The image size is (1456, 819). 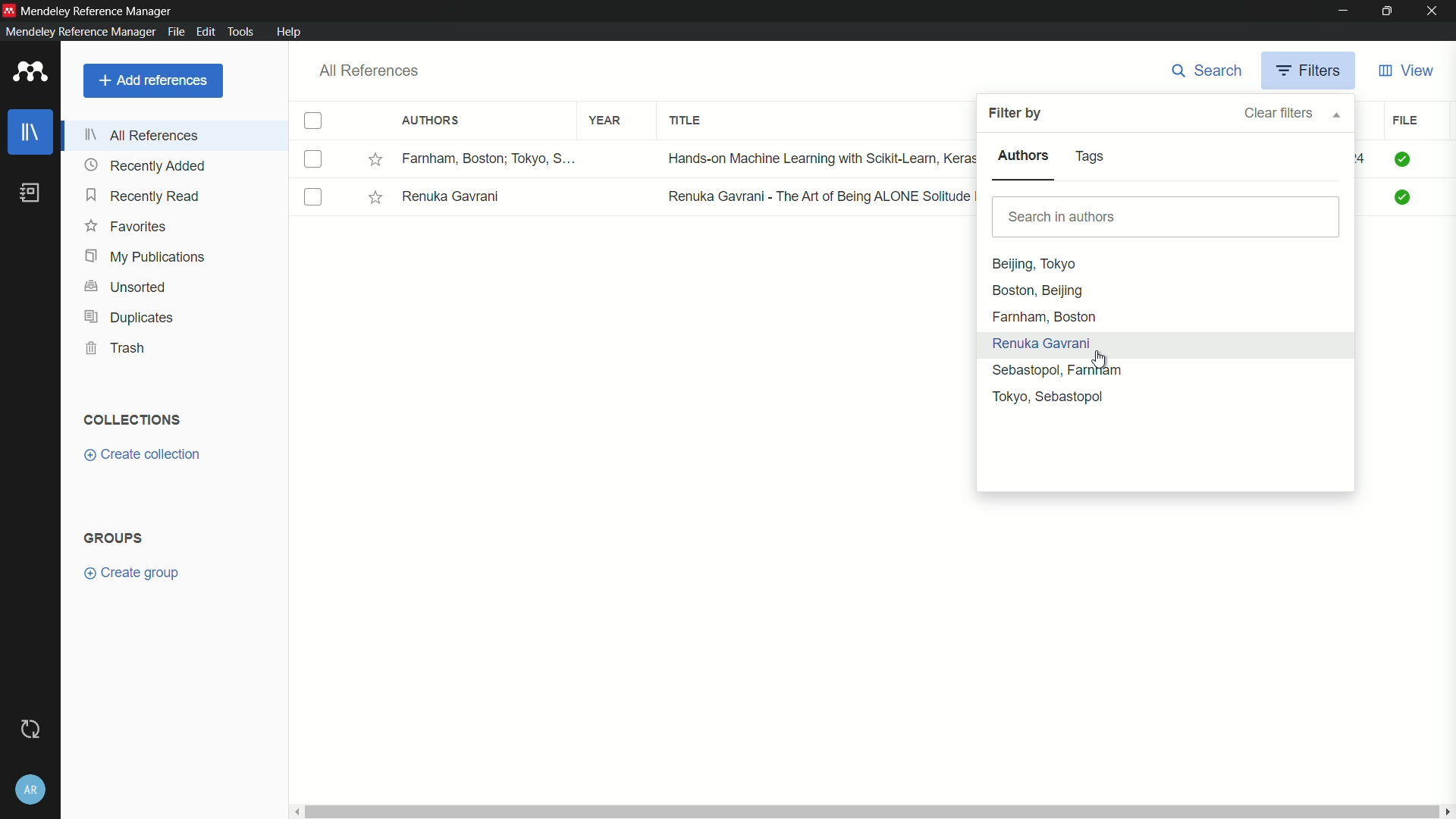 I want to click on tools menu, so click(x=240, y=32).